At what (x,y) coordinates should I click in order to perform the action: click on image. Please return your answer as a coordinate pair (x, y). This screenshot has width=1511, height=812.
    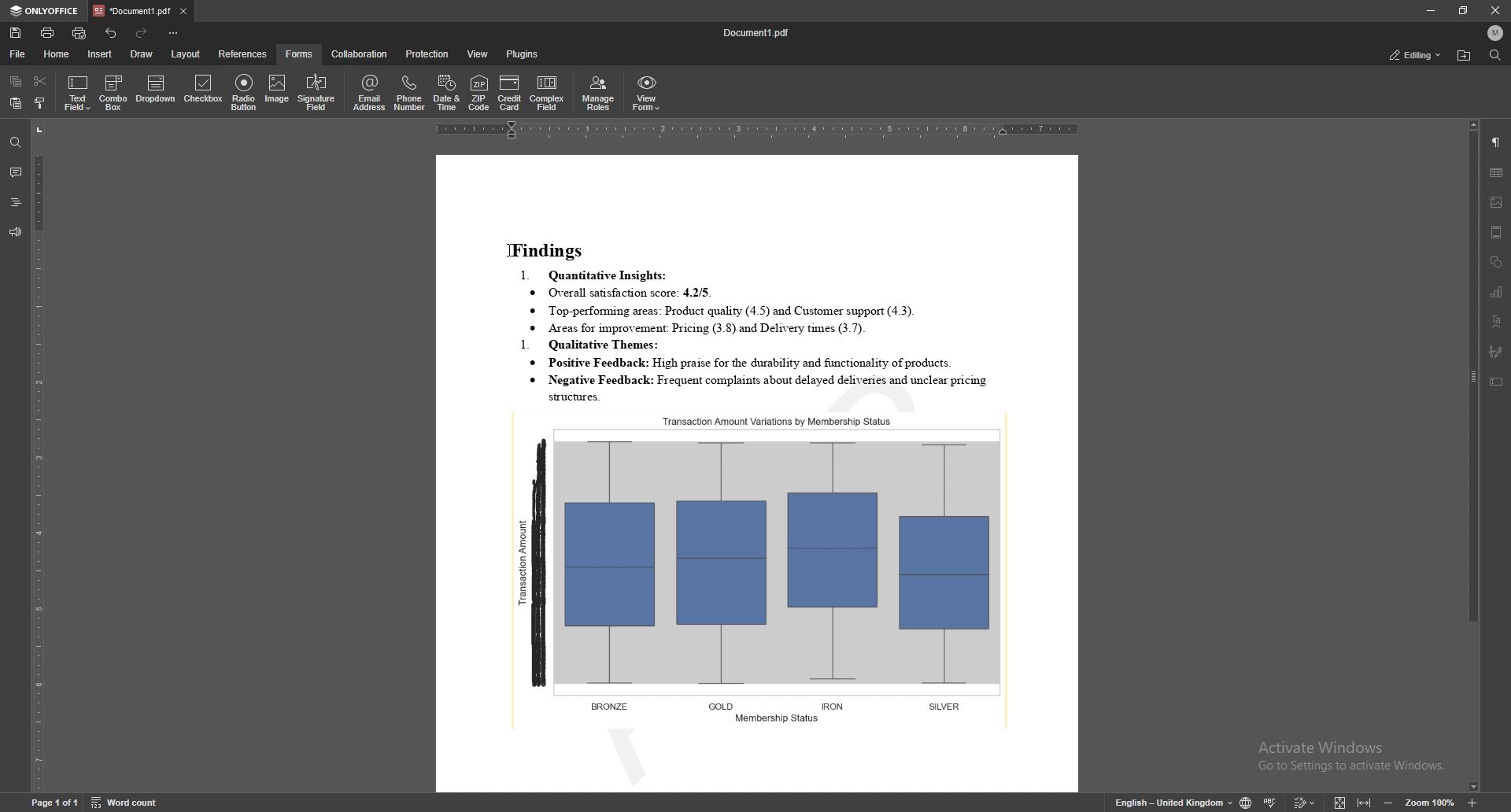
    Looking at the image, I should click on (279, 90).